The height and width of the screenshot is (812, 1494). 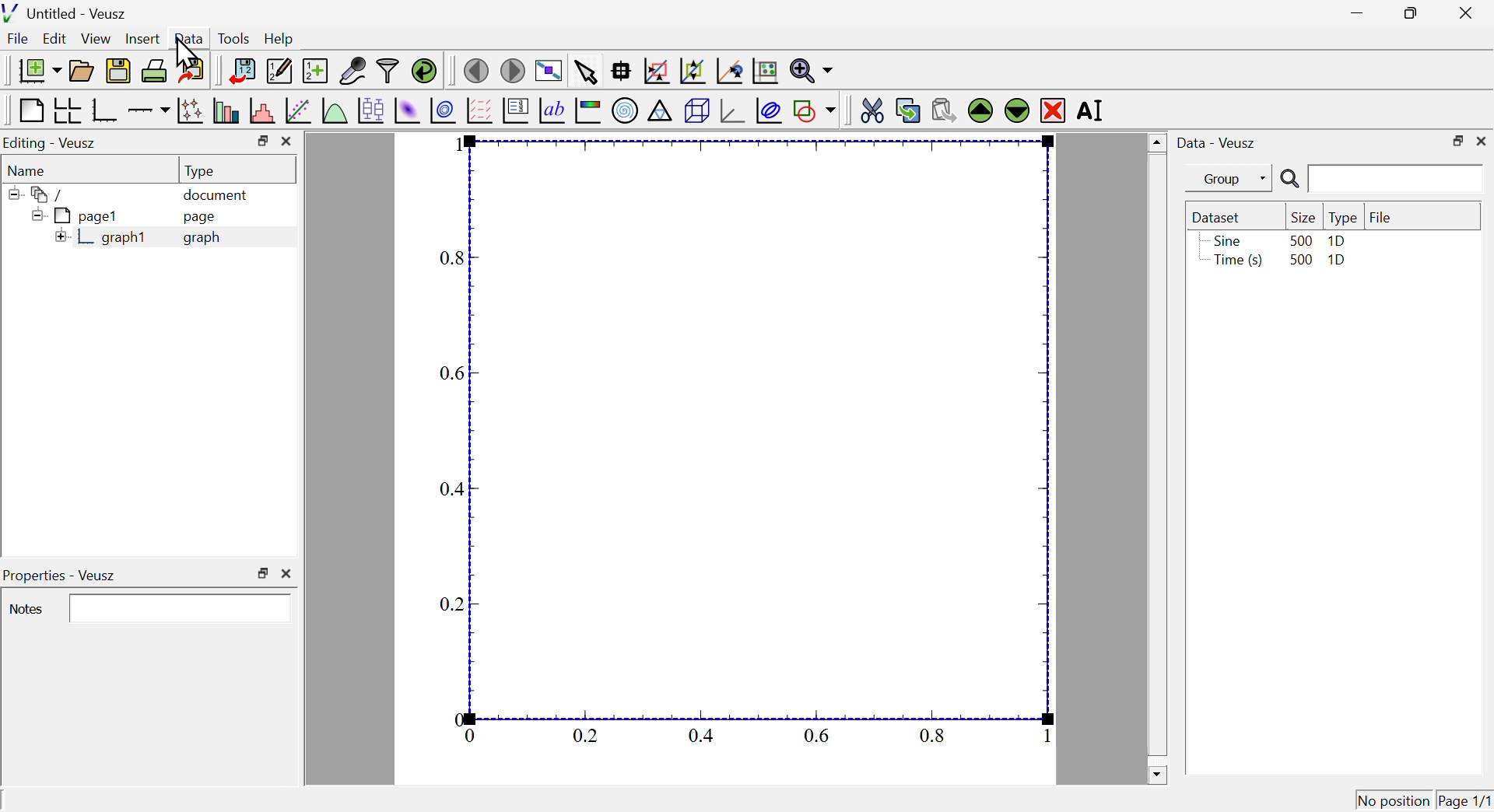 What do you see at coordinates (451, 373) in the screenshot?
I see `0.6` at bounding box center [451, 373].